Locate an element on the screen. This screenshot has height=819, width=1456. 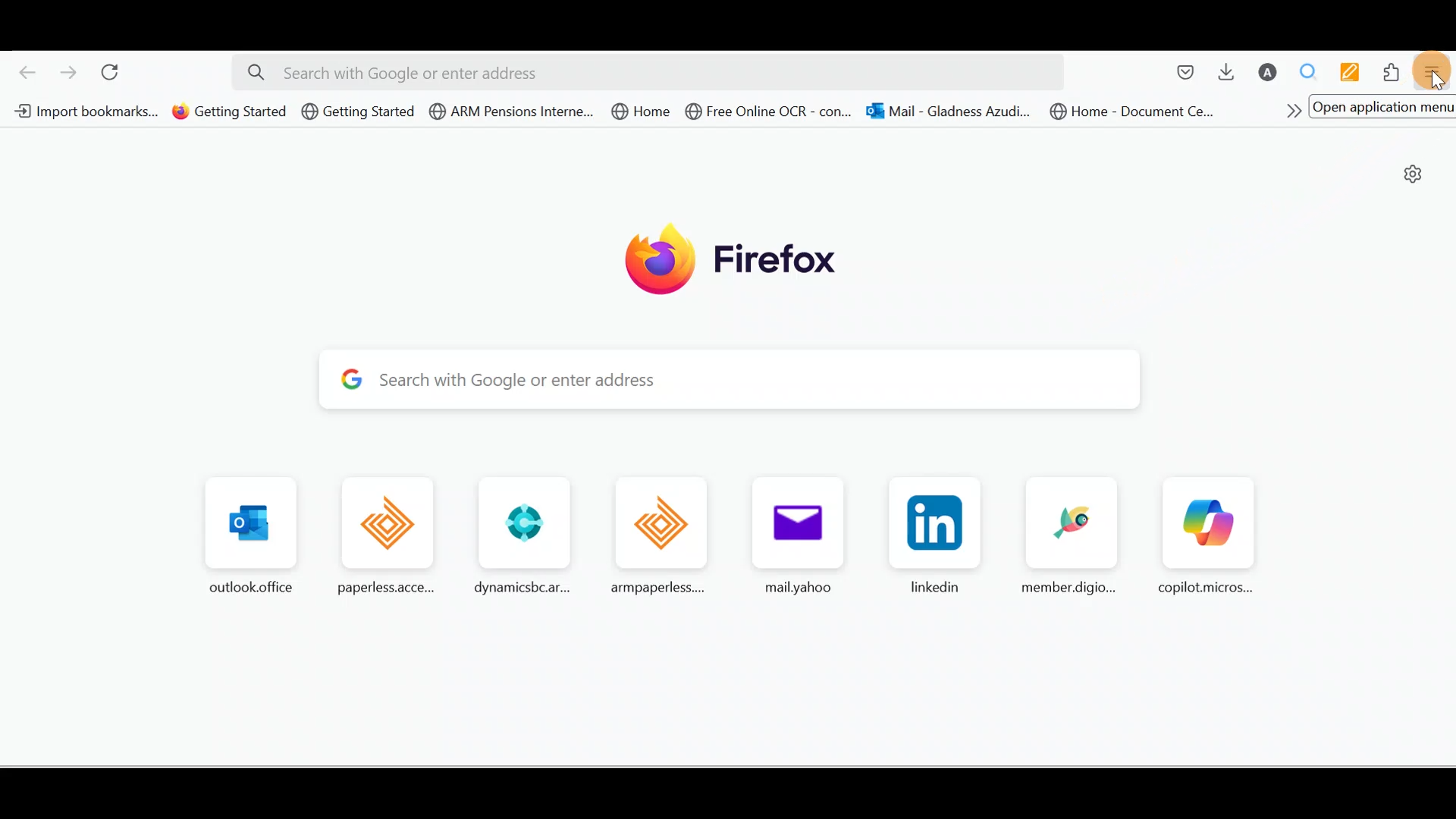
Go forward one page is located at coordinates (71, 75).